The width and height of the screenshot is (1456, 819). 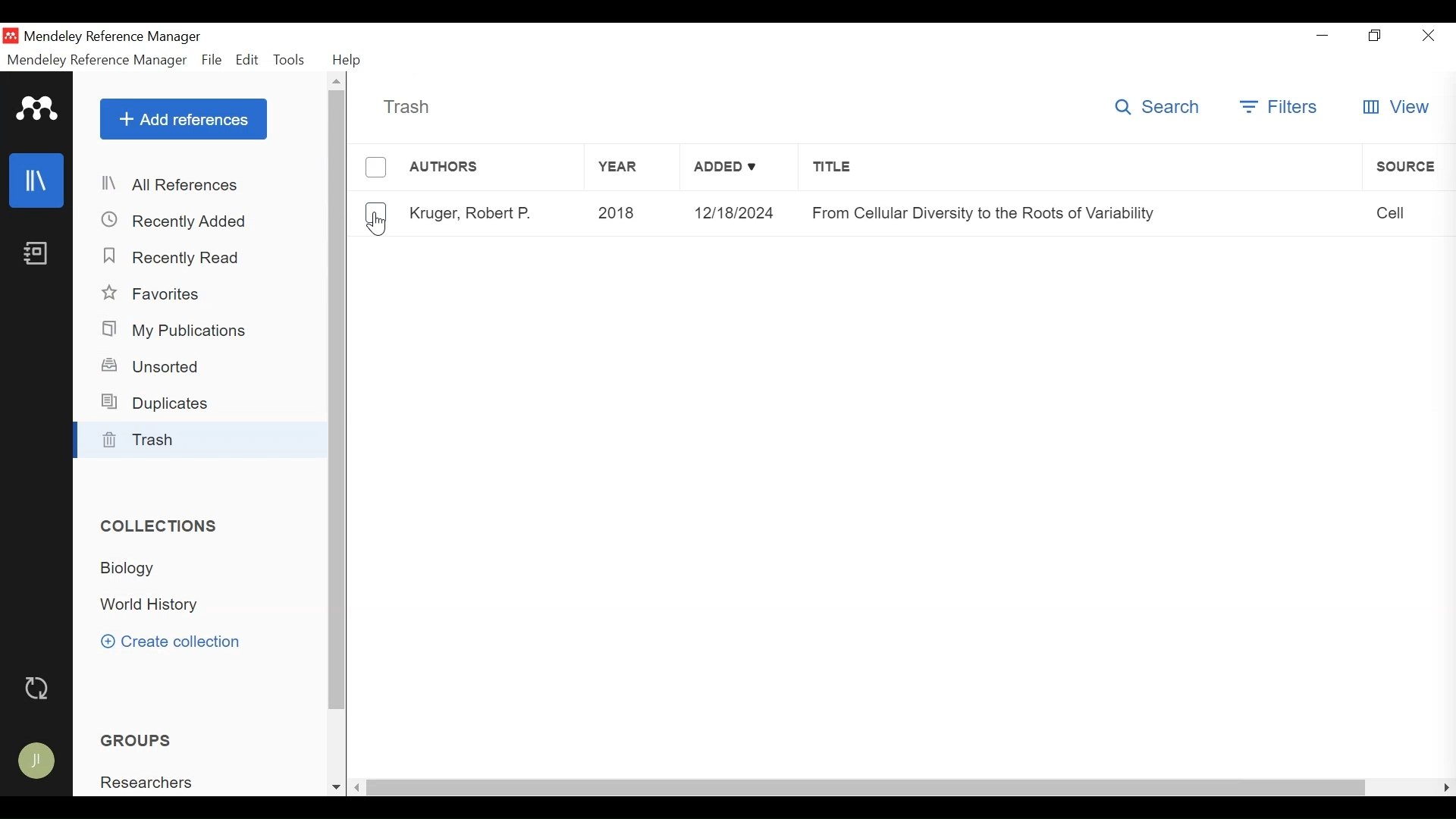 What do you see at coordinates (334, 787) in the screenshot?
I see `Scroll down` at bounding box center [334, 787].